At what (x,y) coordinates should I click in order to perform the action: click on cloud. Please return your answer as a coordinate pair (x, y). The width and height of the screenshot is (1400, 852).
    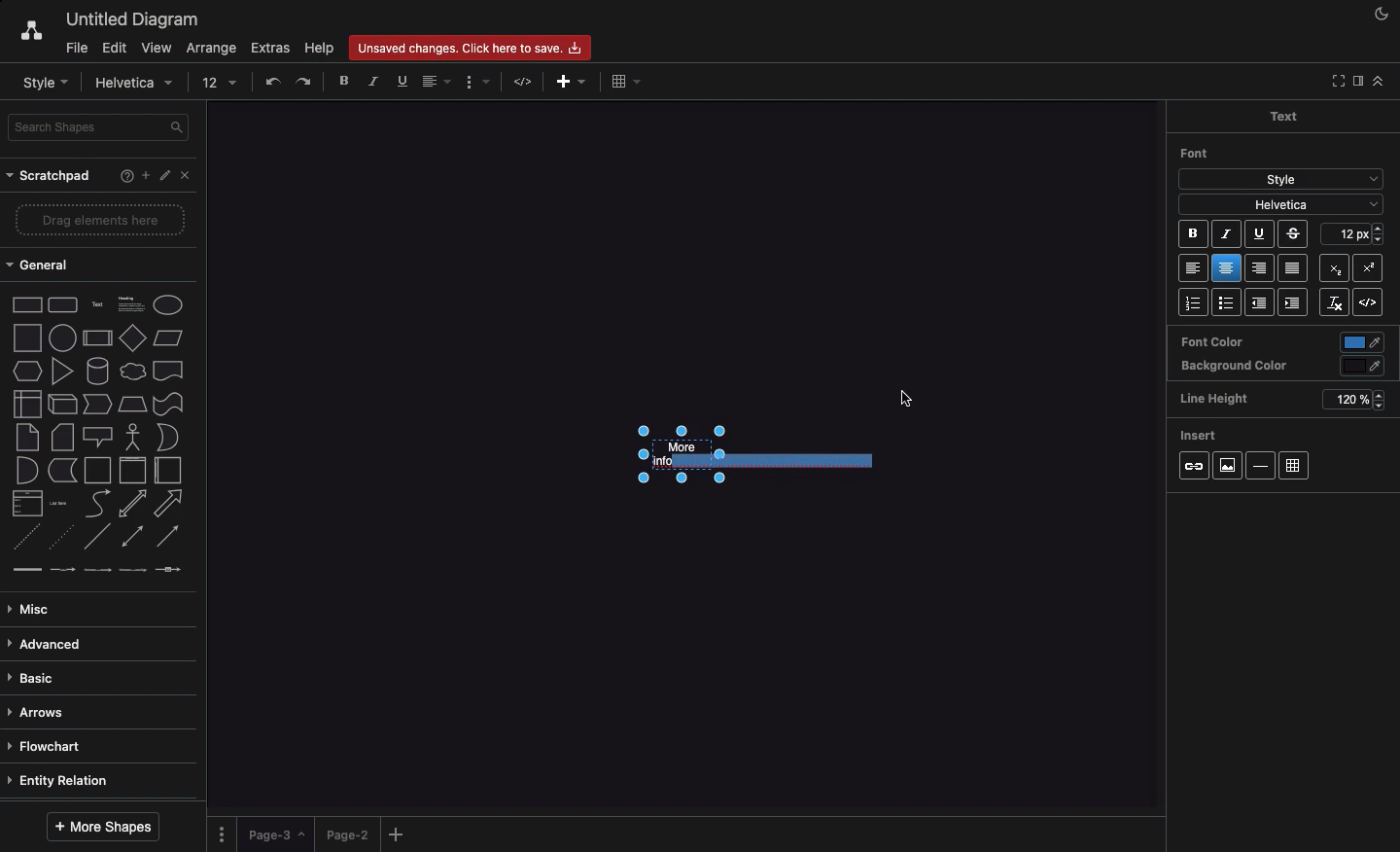
    Looking at the image, I should click on (133, 372).